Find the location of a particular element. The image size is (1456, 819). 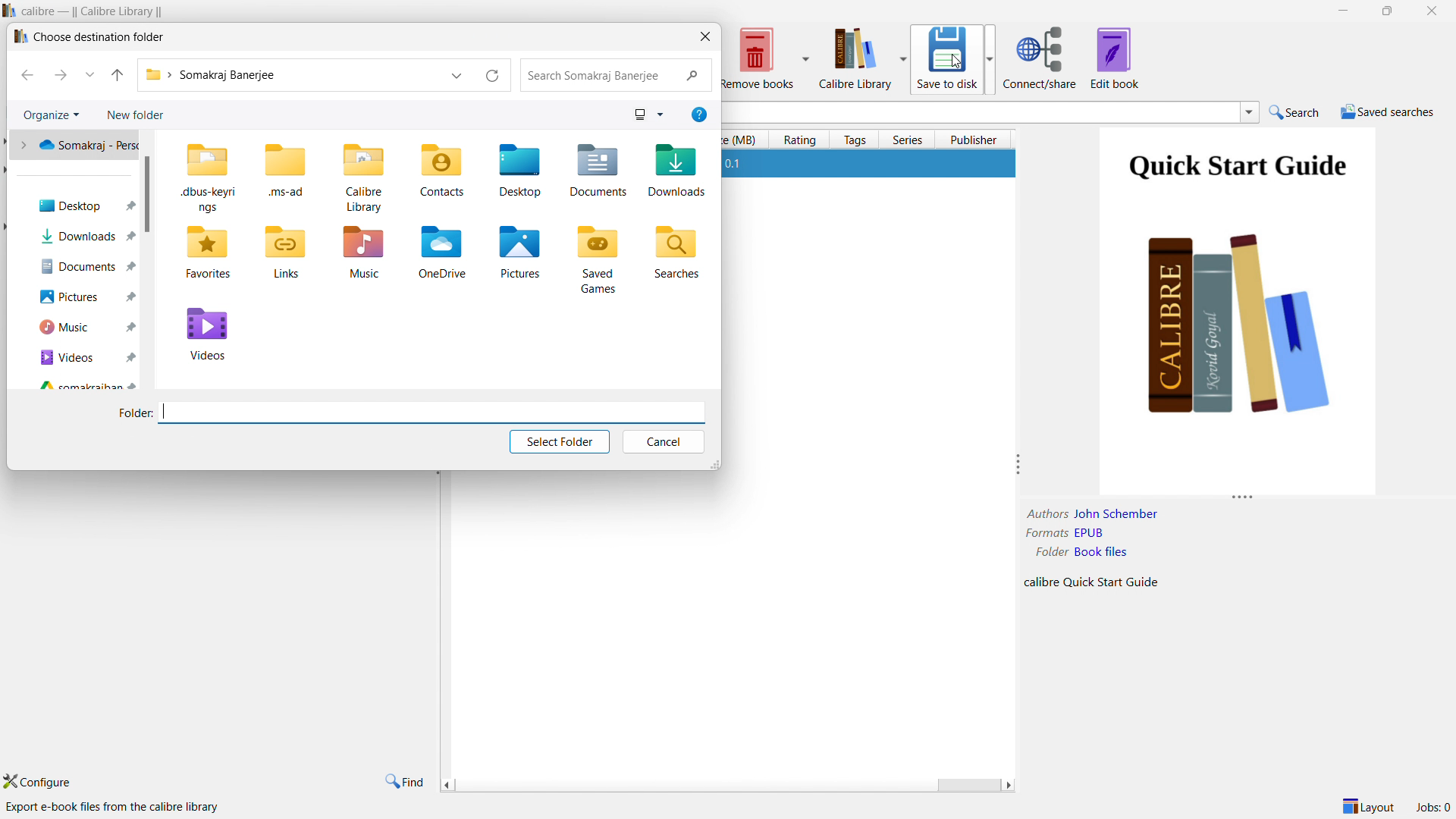

Videos is located at coordinates (206, 335).